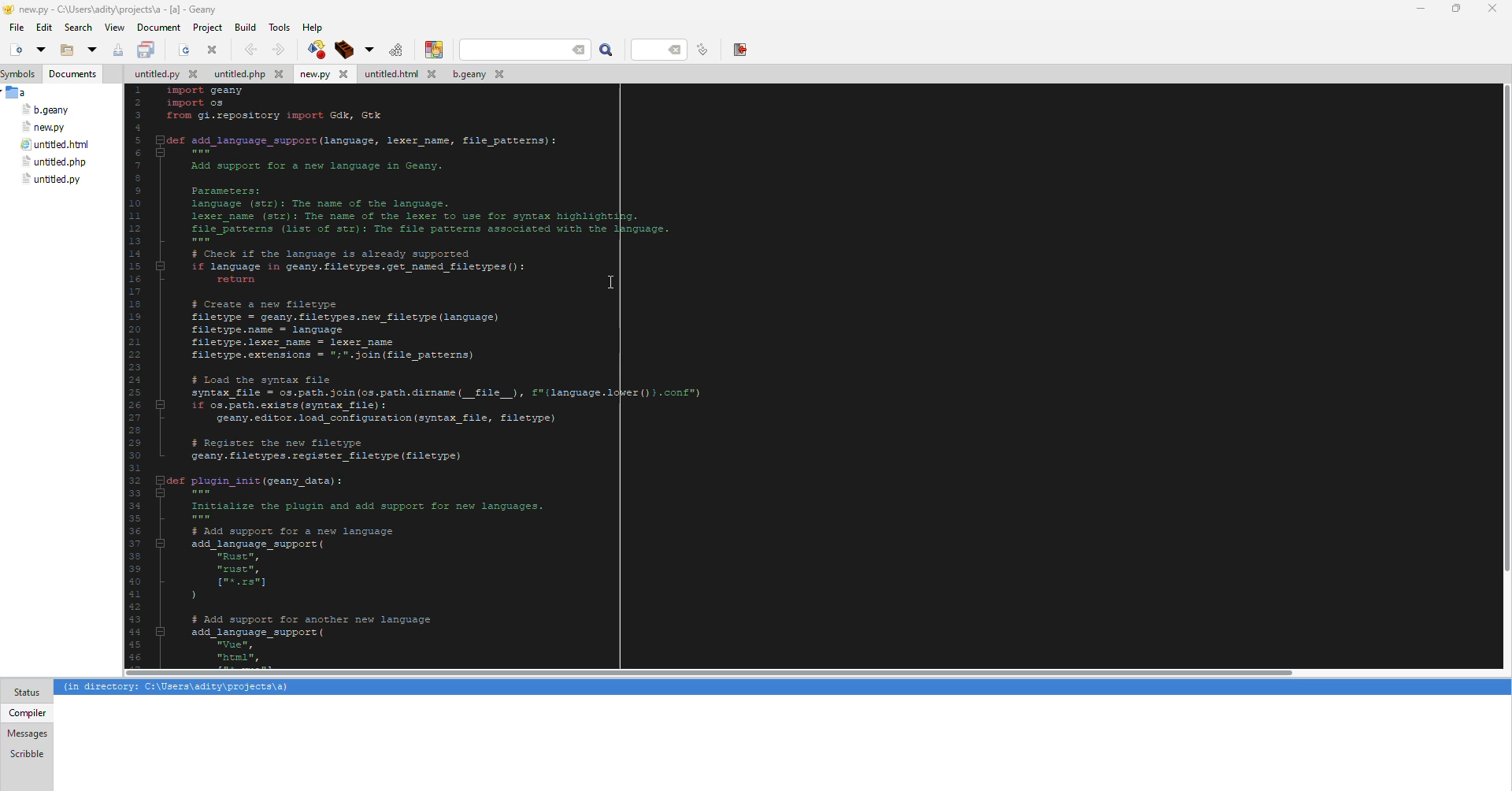 Image resolution: width=1512 pixels, height=791 pixels. I want to click on maximize, so click(1454, 8).